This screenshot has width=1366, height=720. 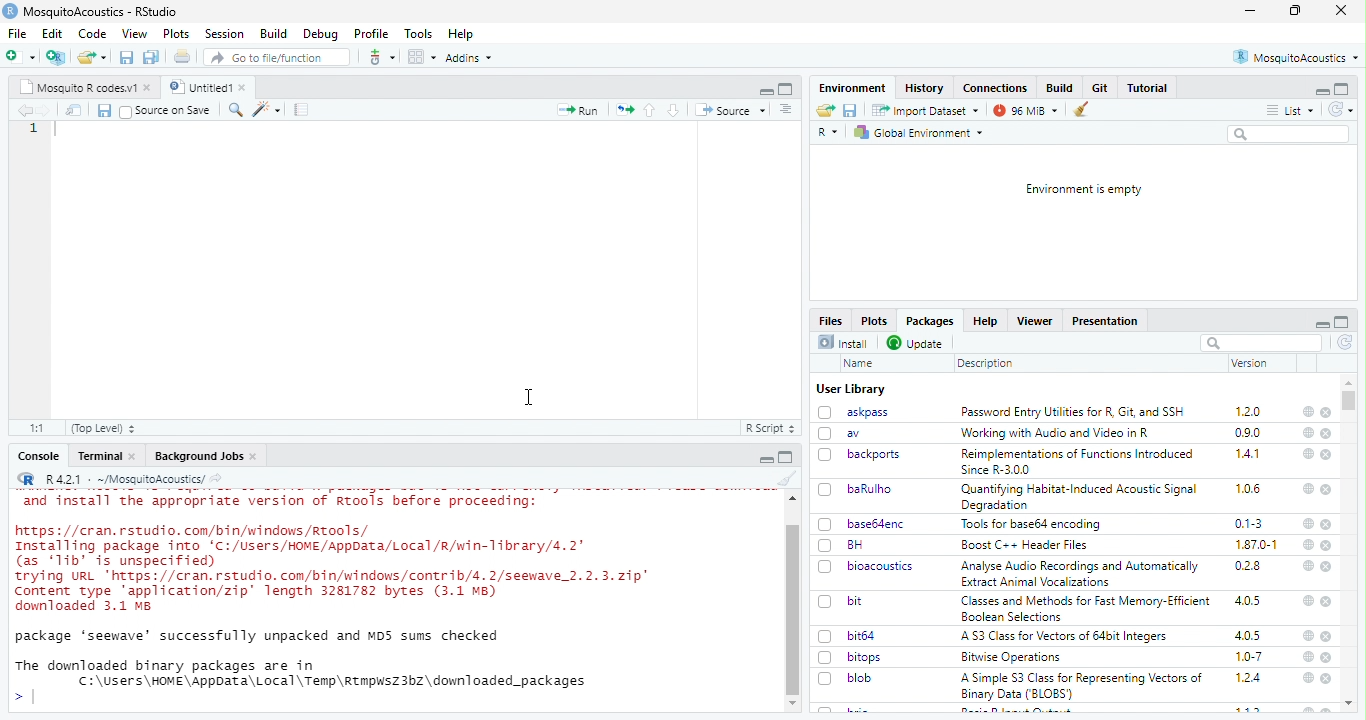 I want to click on close, so click(x=1326, y=434).